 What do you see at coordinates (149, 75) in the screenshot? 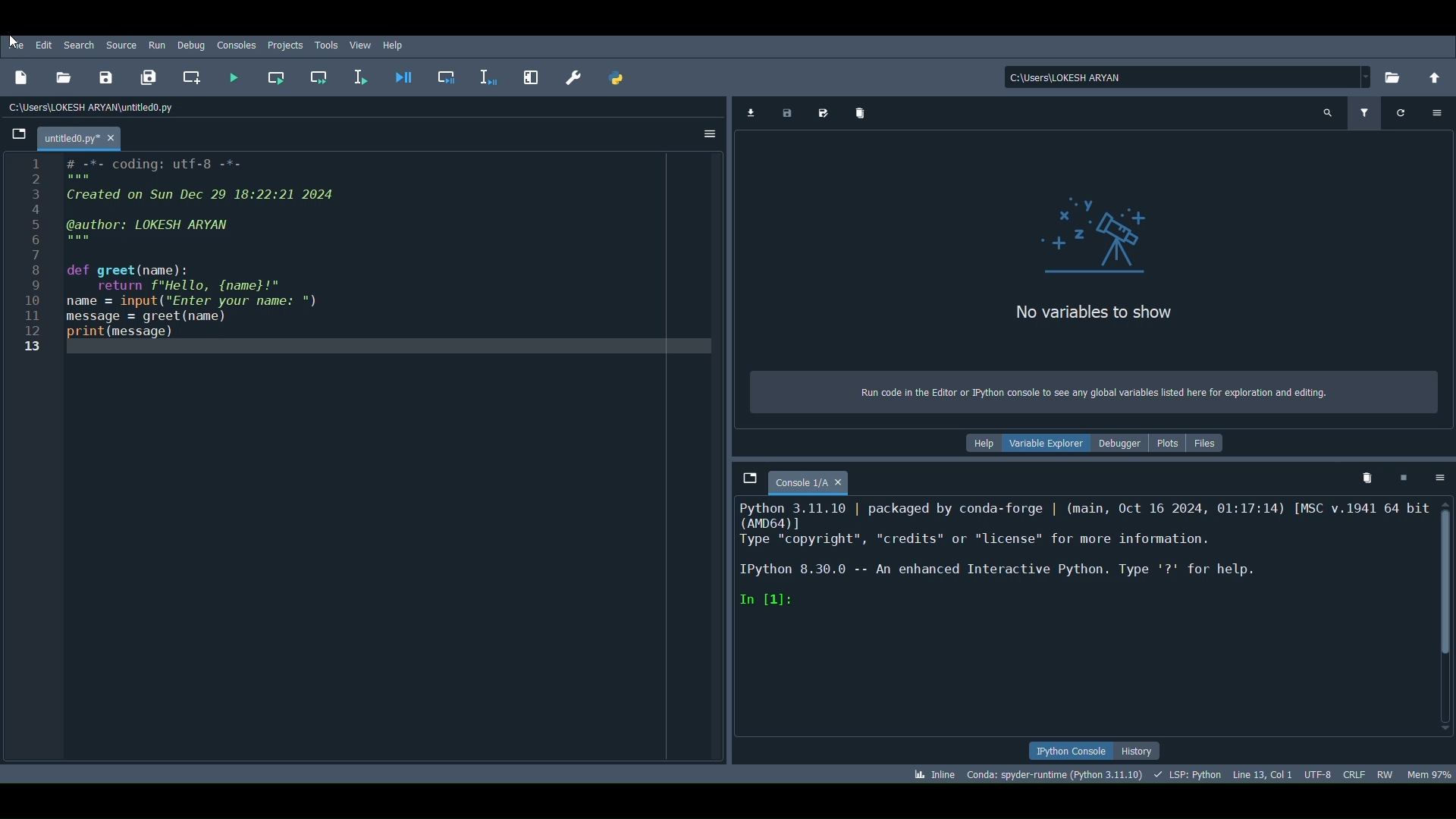
I see `Save all files (Ctrl + Alt + S)` at bounding box center [149, 75].